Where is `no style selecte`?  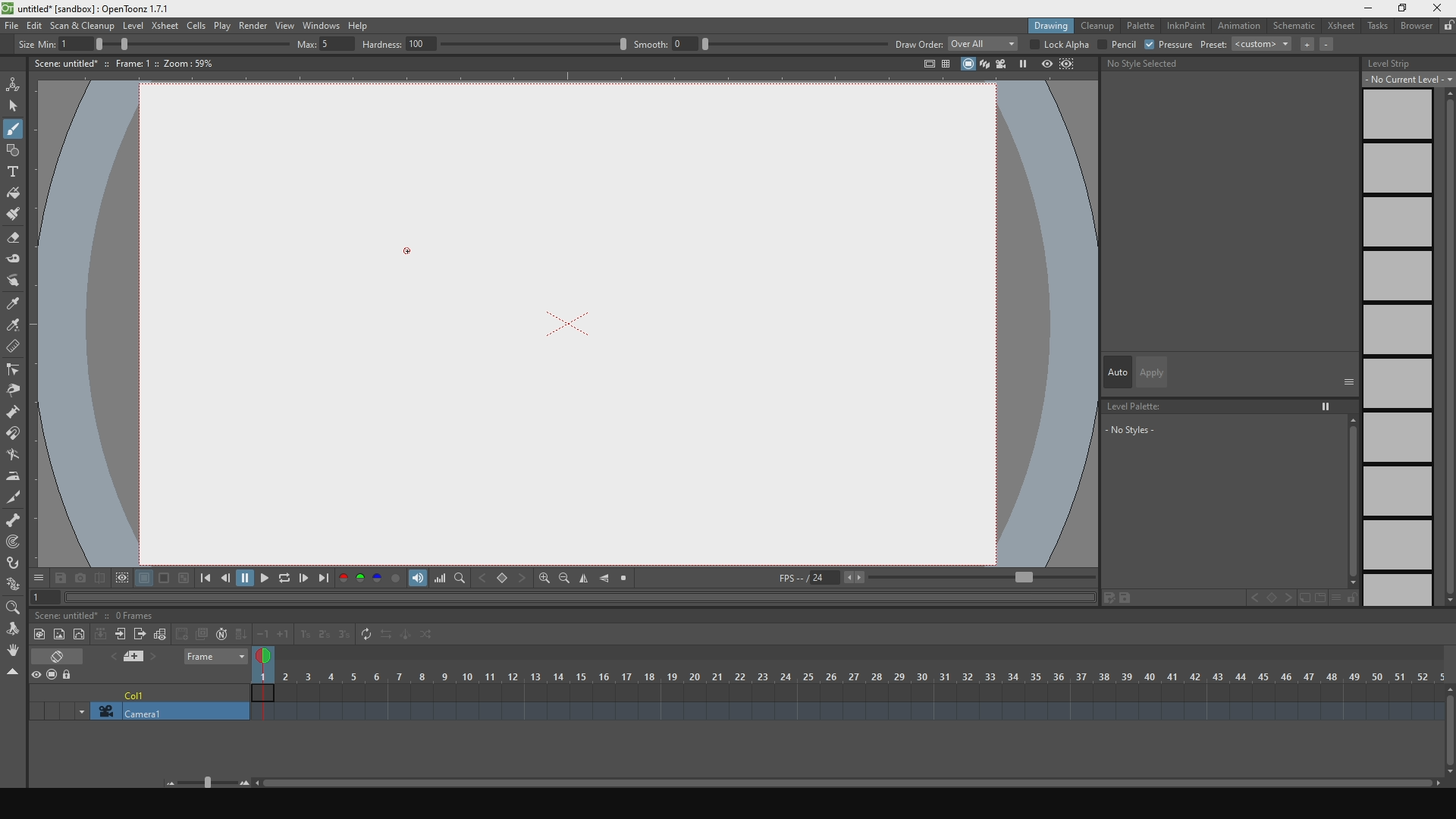
no style selecte is located at coordinates (1159, 65).